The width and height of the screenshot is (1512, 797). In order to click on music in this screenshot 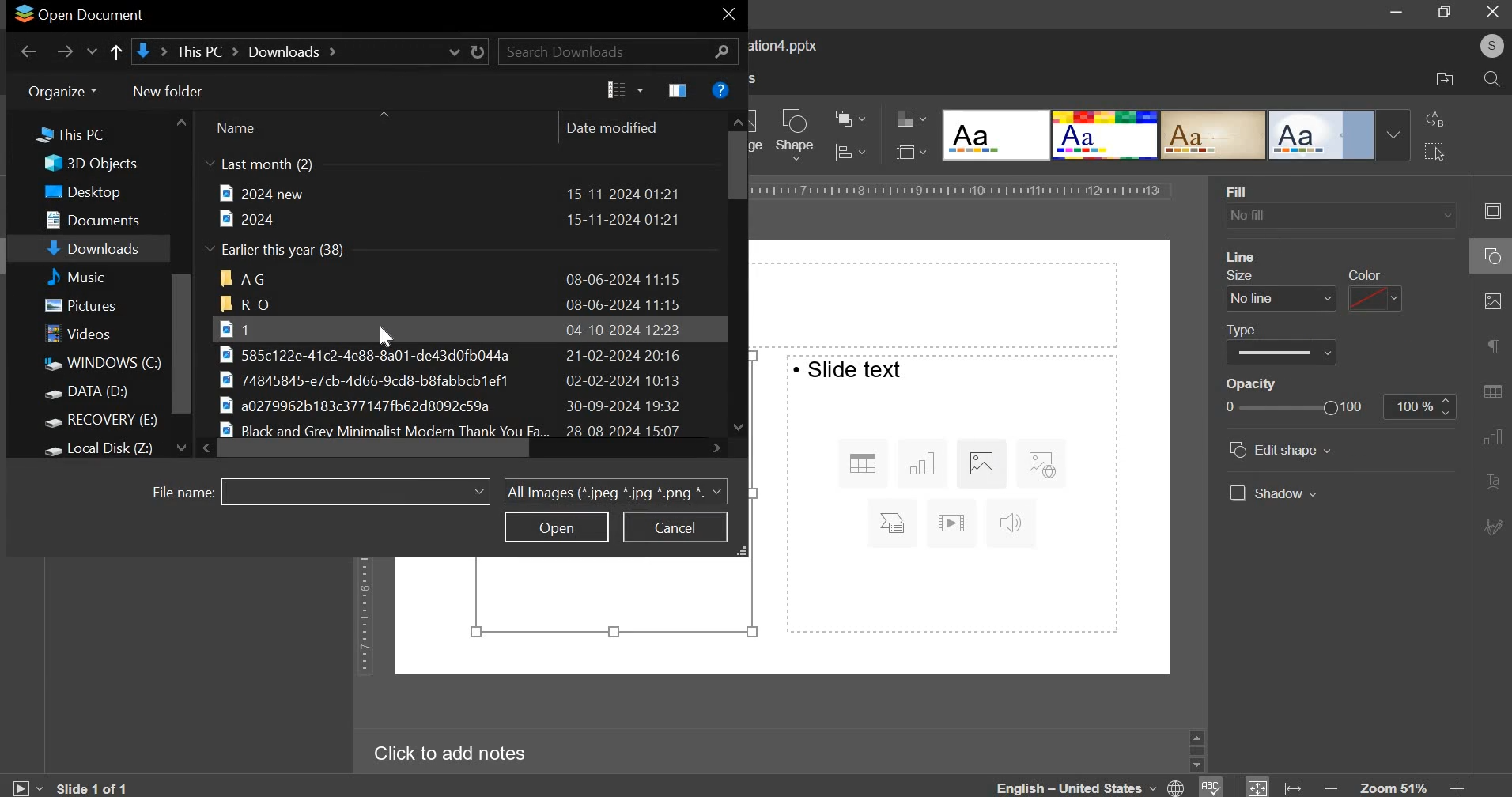, I will do `click(95, 276)`.